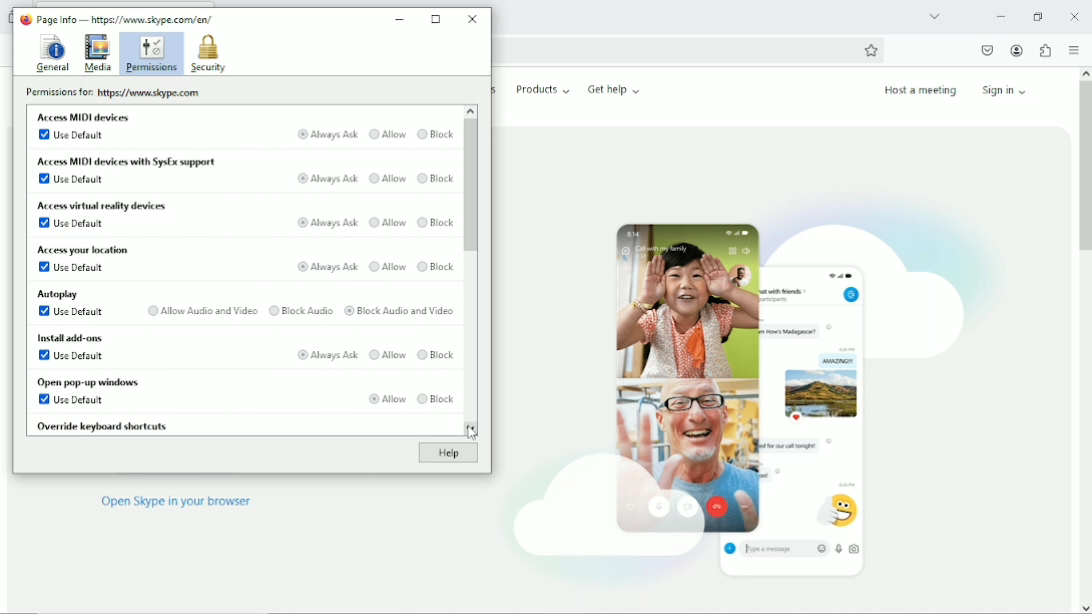 This screenshot has height=614, width=1092. What do you see at coordinates (51, 54) in the screenshot?
I see `General` at bounding box center [51, 54].